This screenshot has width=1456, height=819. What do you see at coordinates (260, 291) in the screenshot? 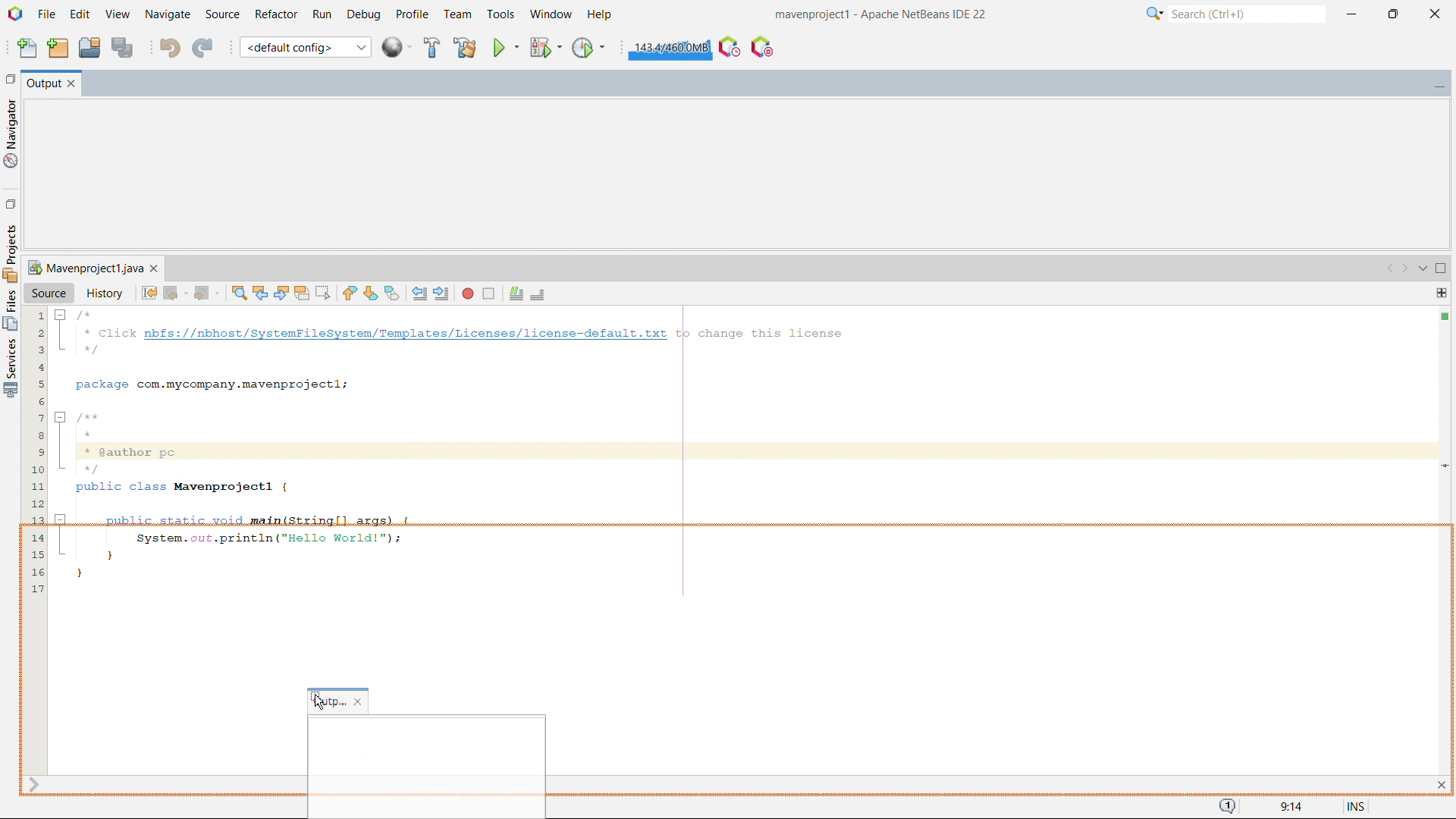
I see `find previous occurance` at bounding box center [260, 291].